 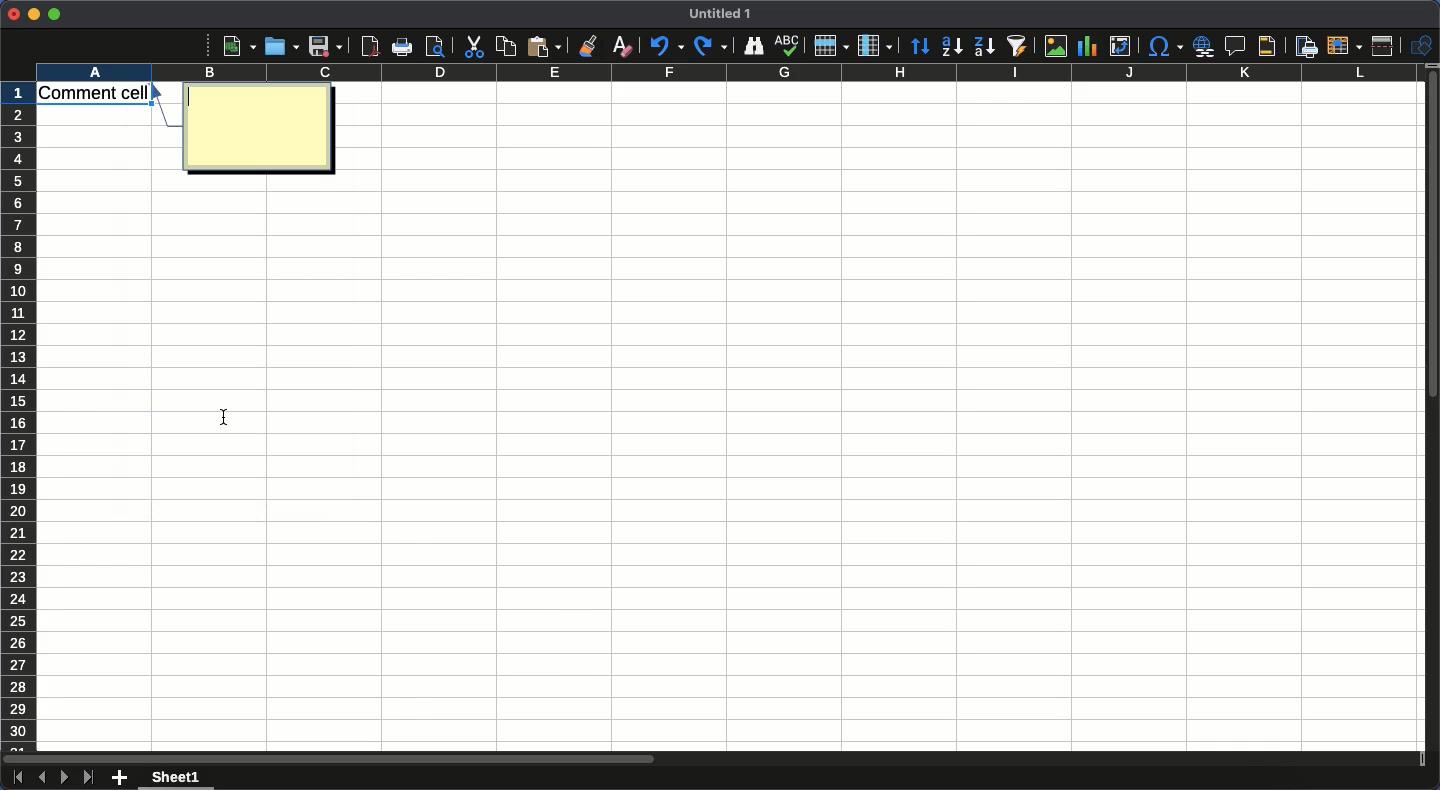 I want to click on Add new sheet, so click(x=118, y=778).